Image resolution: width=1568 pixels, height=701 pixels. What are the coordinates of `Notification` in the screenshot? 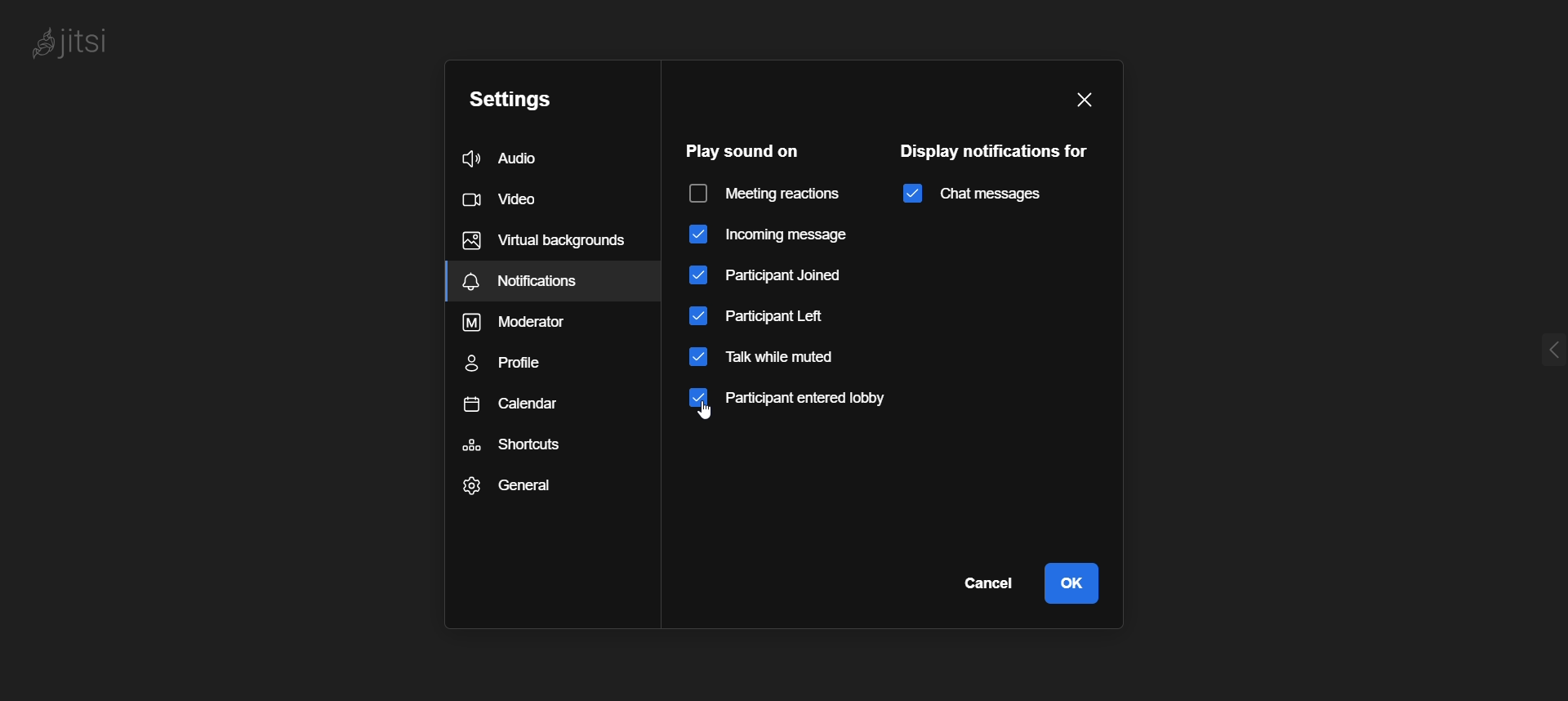 It's located at (552, 281).